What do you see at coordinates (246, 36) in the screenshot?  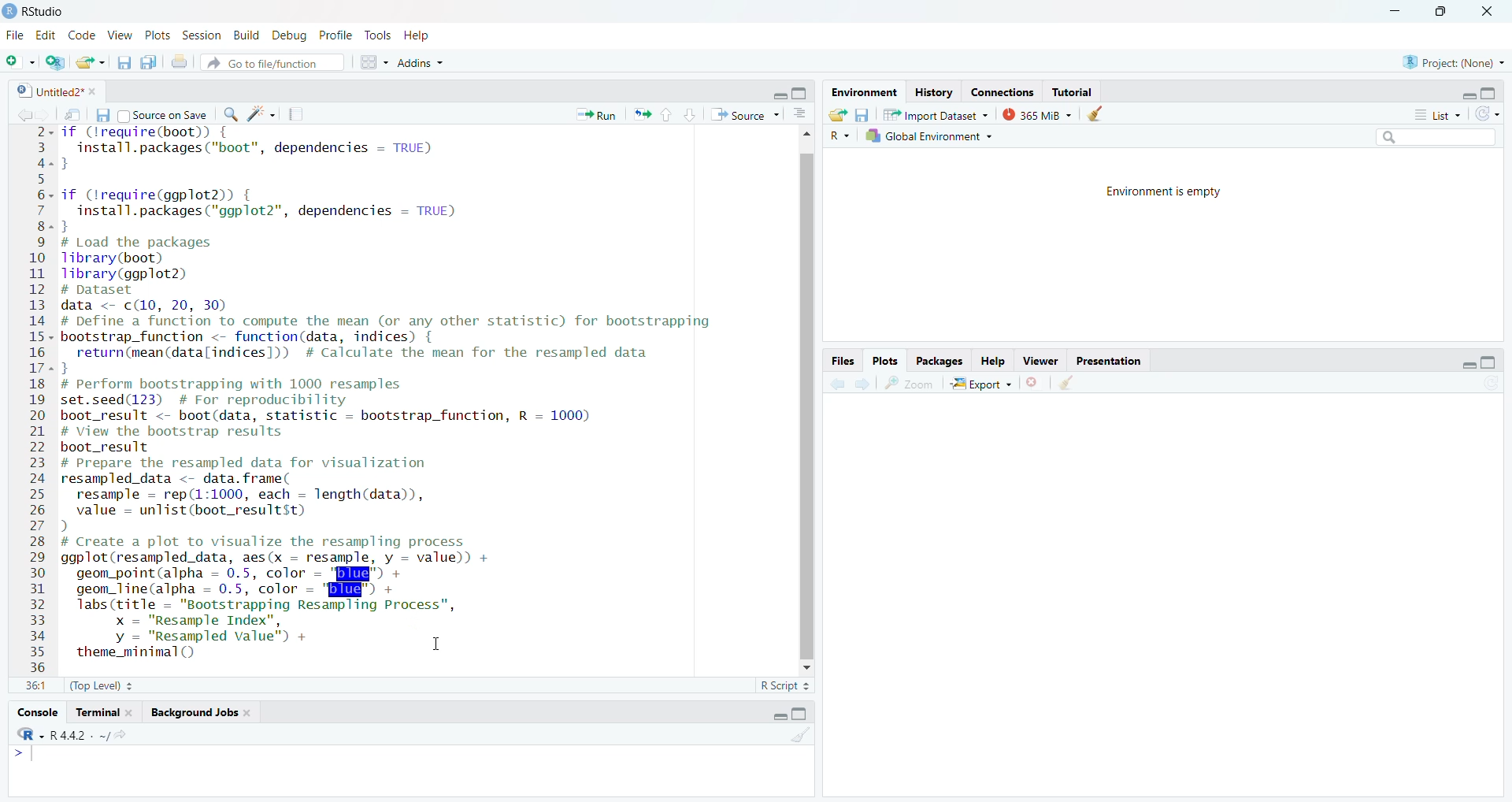 I see `Build` at bounding box center [246, 36].